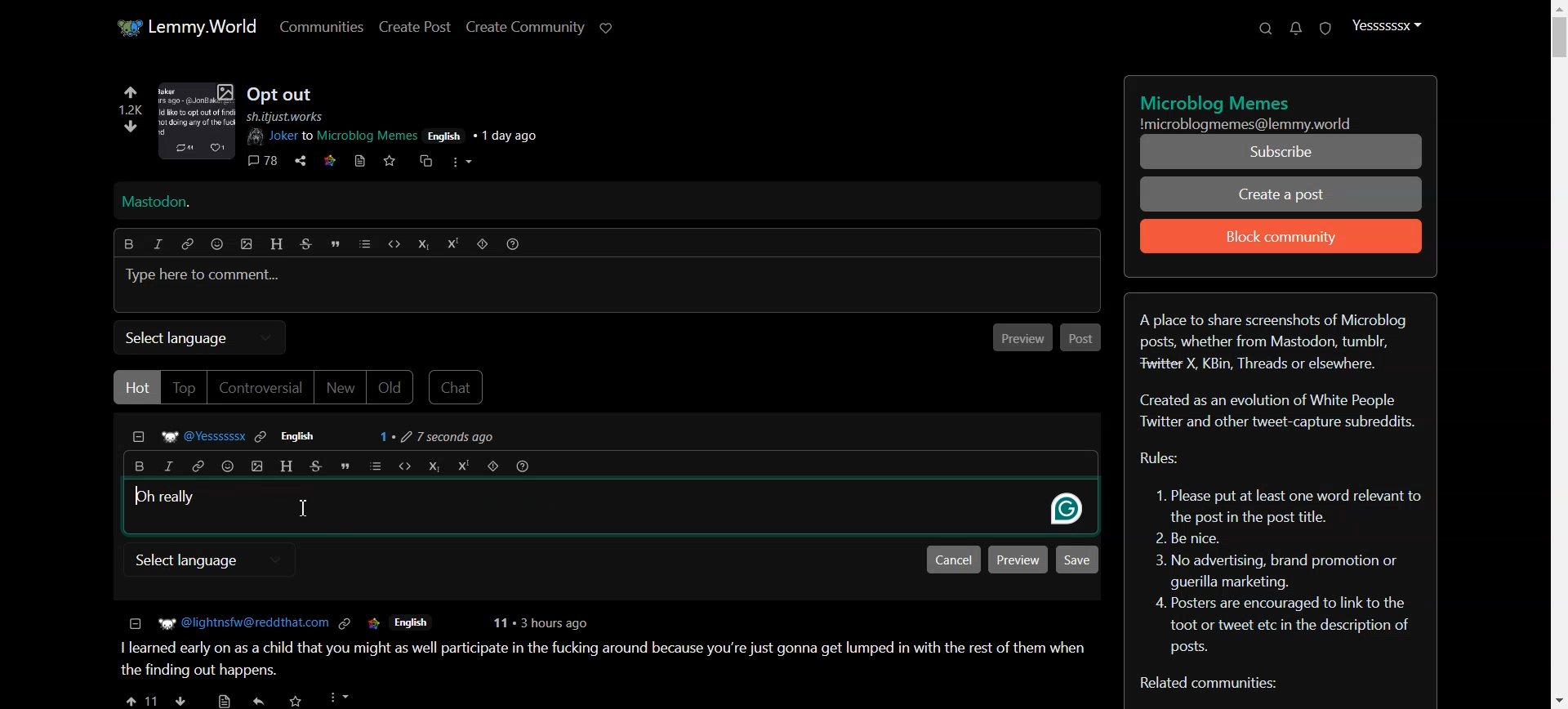  What do you see at coordinates (131, 109) in the screenshot?
I see `1.2k` at bounding box center [131, 109].